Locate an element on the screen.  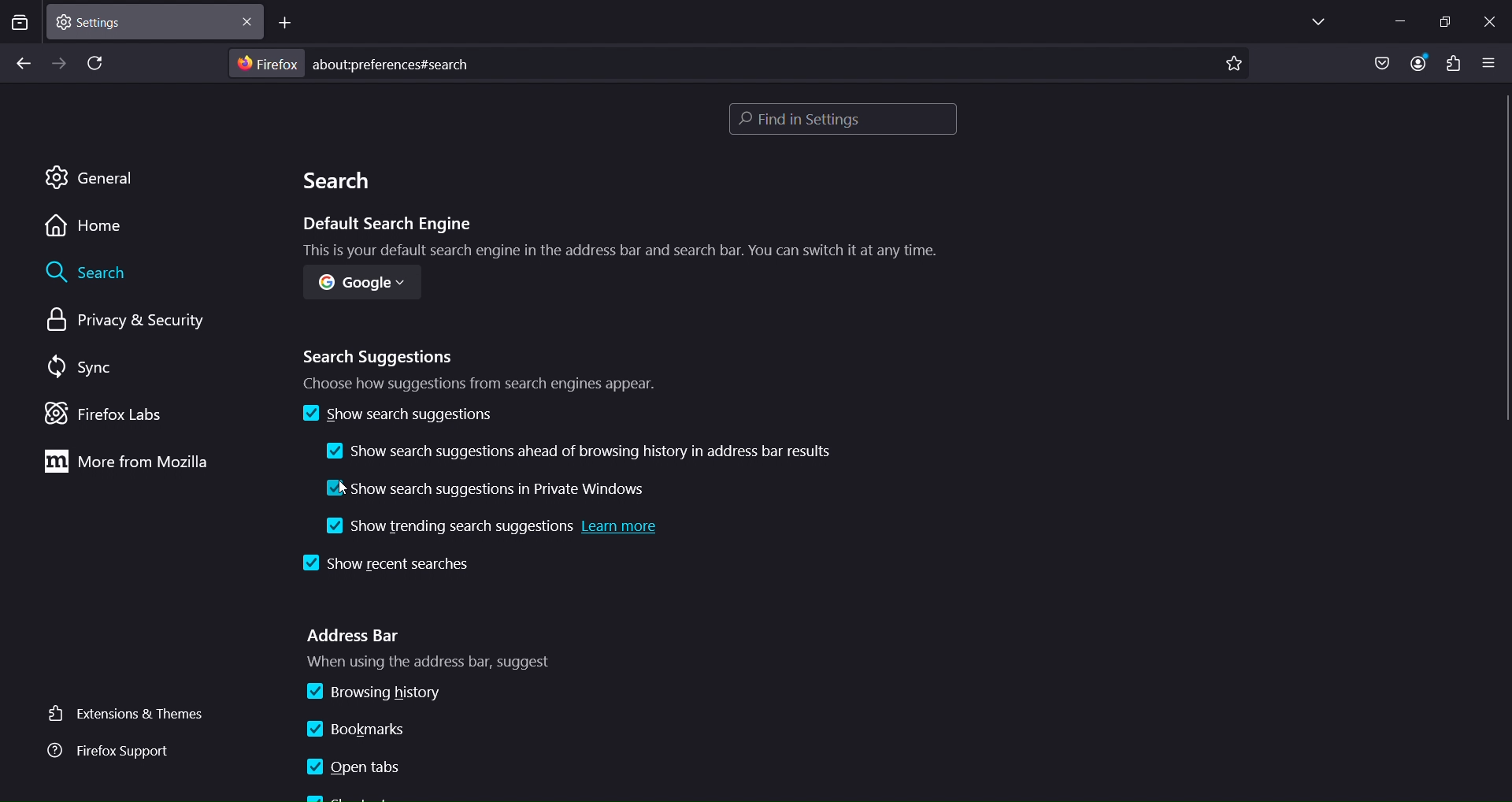
show search suggestions in private windows is located at coordinates (492, 486).